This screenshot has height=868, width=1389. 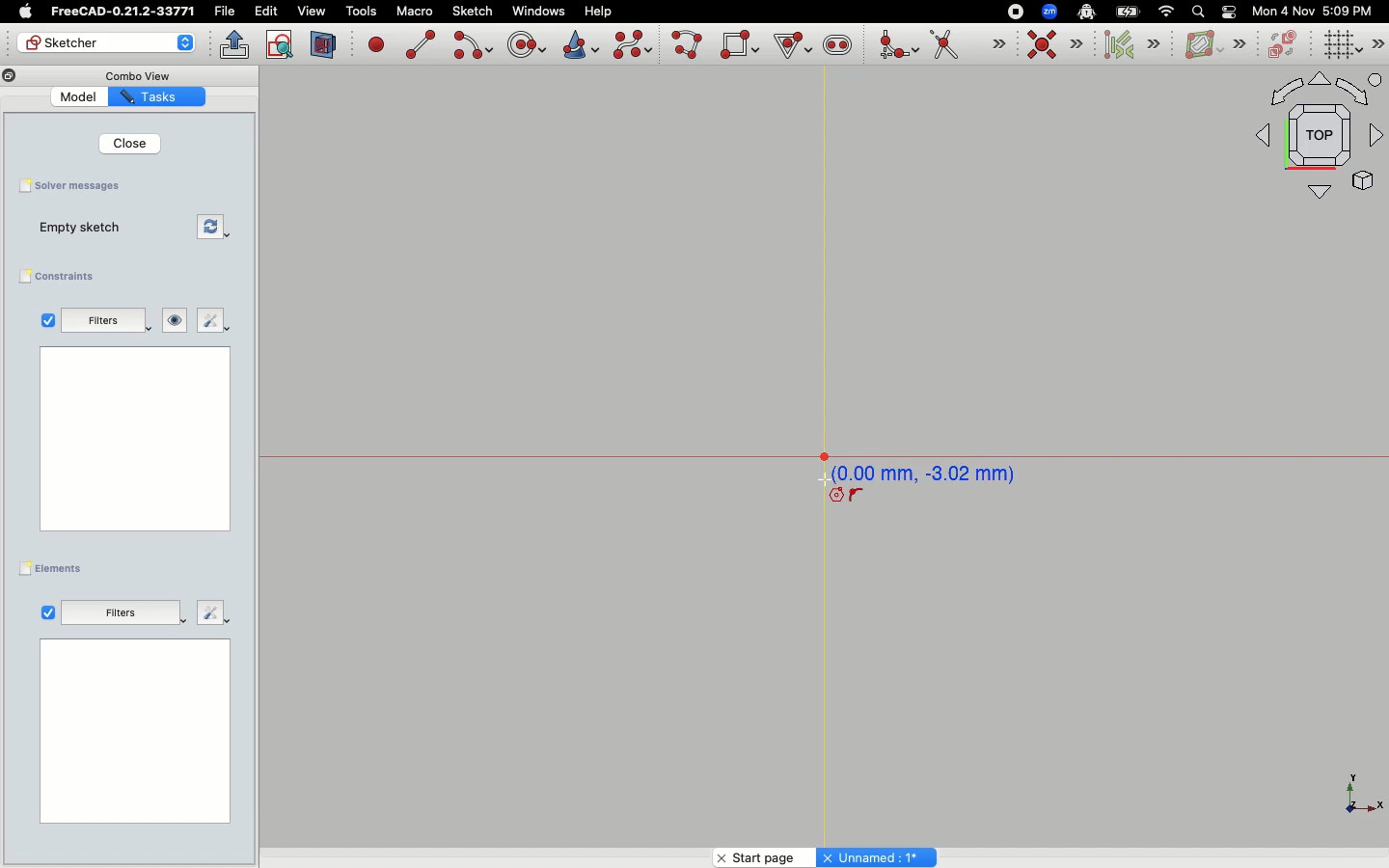 What do you see at coordinates (413, 12) in the screenshot?
I see `Macro` at bounding box center [413, 12].